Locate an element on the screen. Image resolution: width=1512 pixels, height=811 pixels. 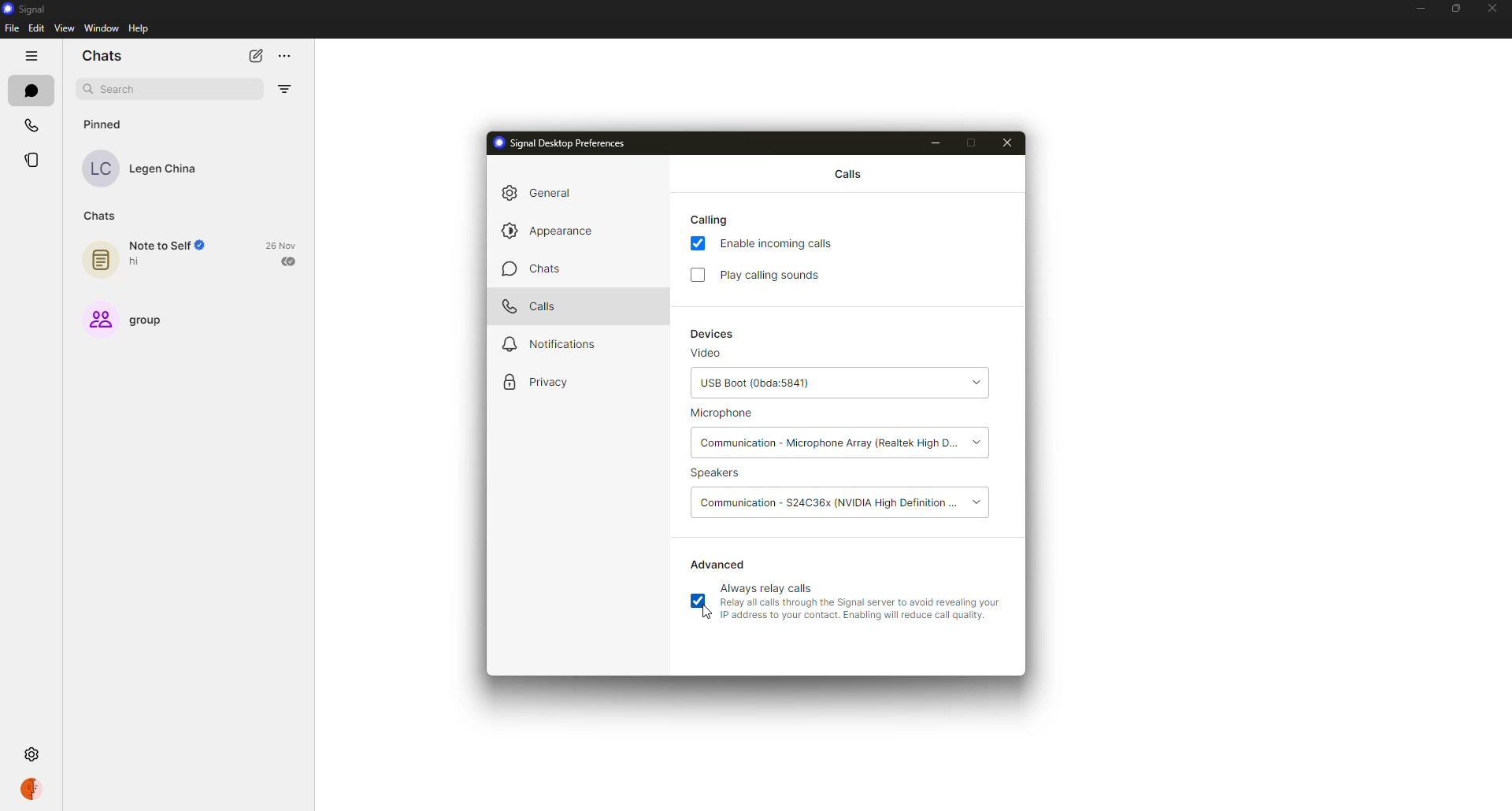
click to enable is located at coordinates (697, 602).